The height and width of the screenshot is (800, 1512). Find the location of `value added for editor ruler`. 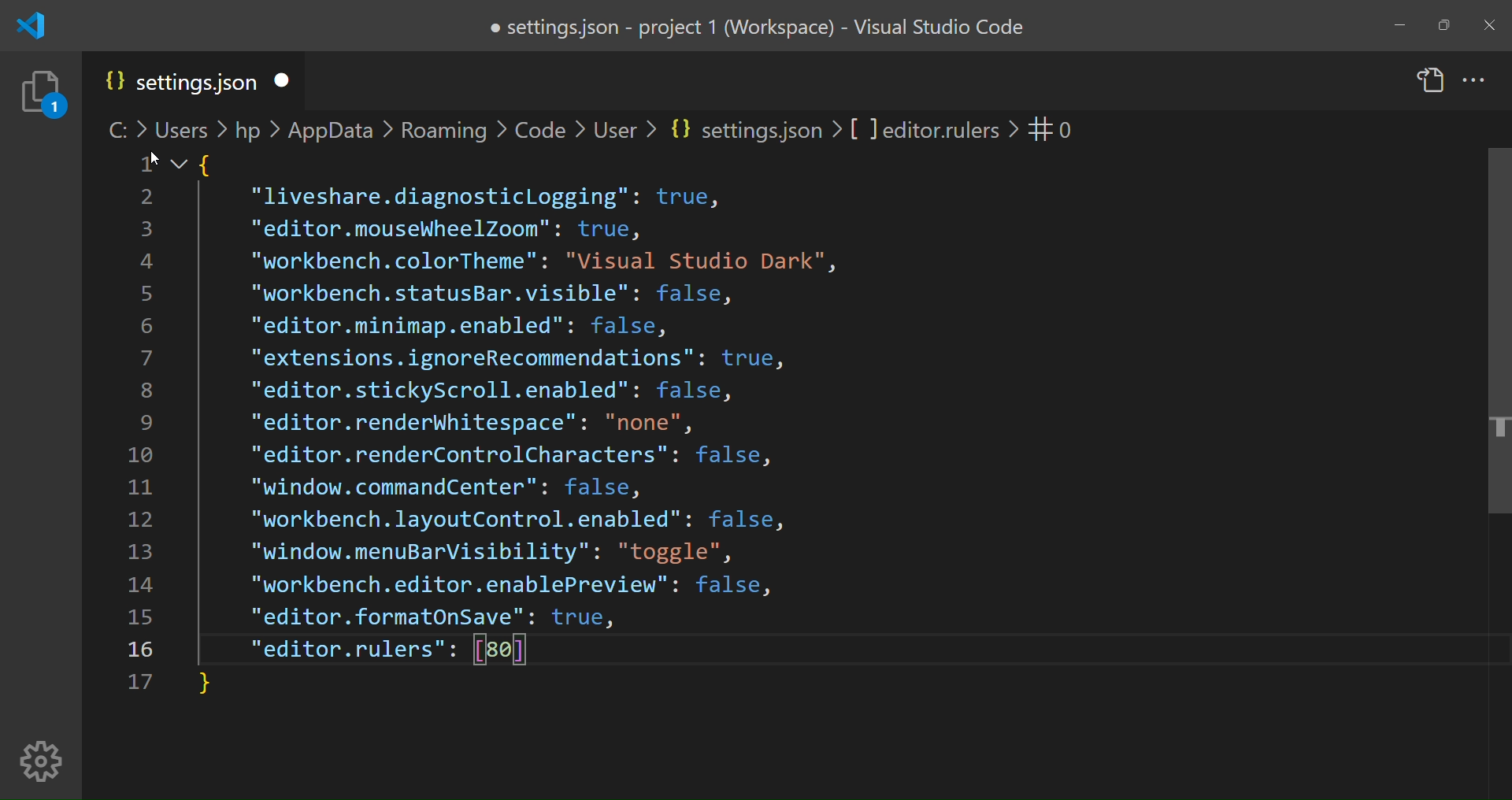

value added for editor ruler is located at coordinates (499, 650).